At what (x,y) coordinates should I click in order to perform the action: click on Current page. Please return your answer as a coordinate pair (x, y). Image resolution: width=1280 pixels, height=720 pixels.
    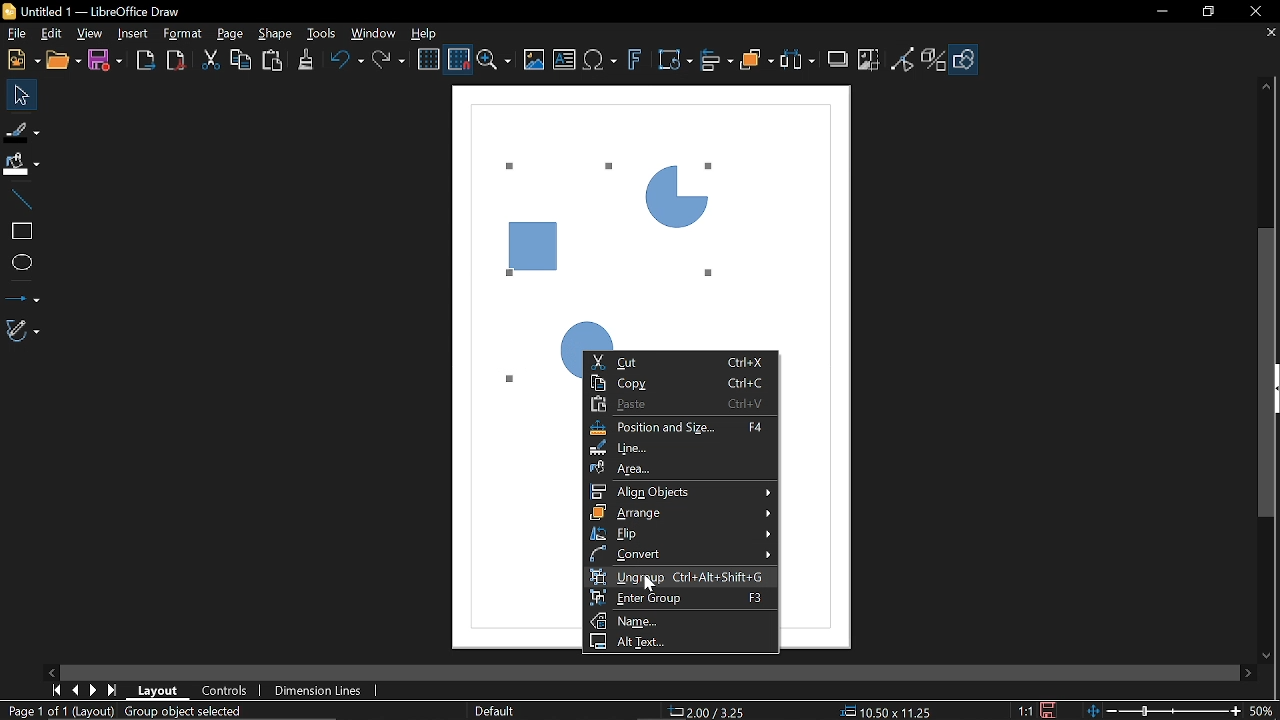
    Looking at the image, I should click on (58, 711).